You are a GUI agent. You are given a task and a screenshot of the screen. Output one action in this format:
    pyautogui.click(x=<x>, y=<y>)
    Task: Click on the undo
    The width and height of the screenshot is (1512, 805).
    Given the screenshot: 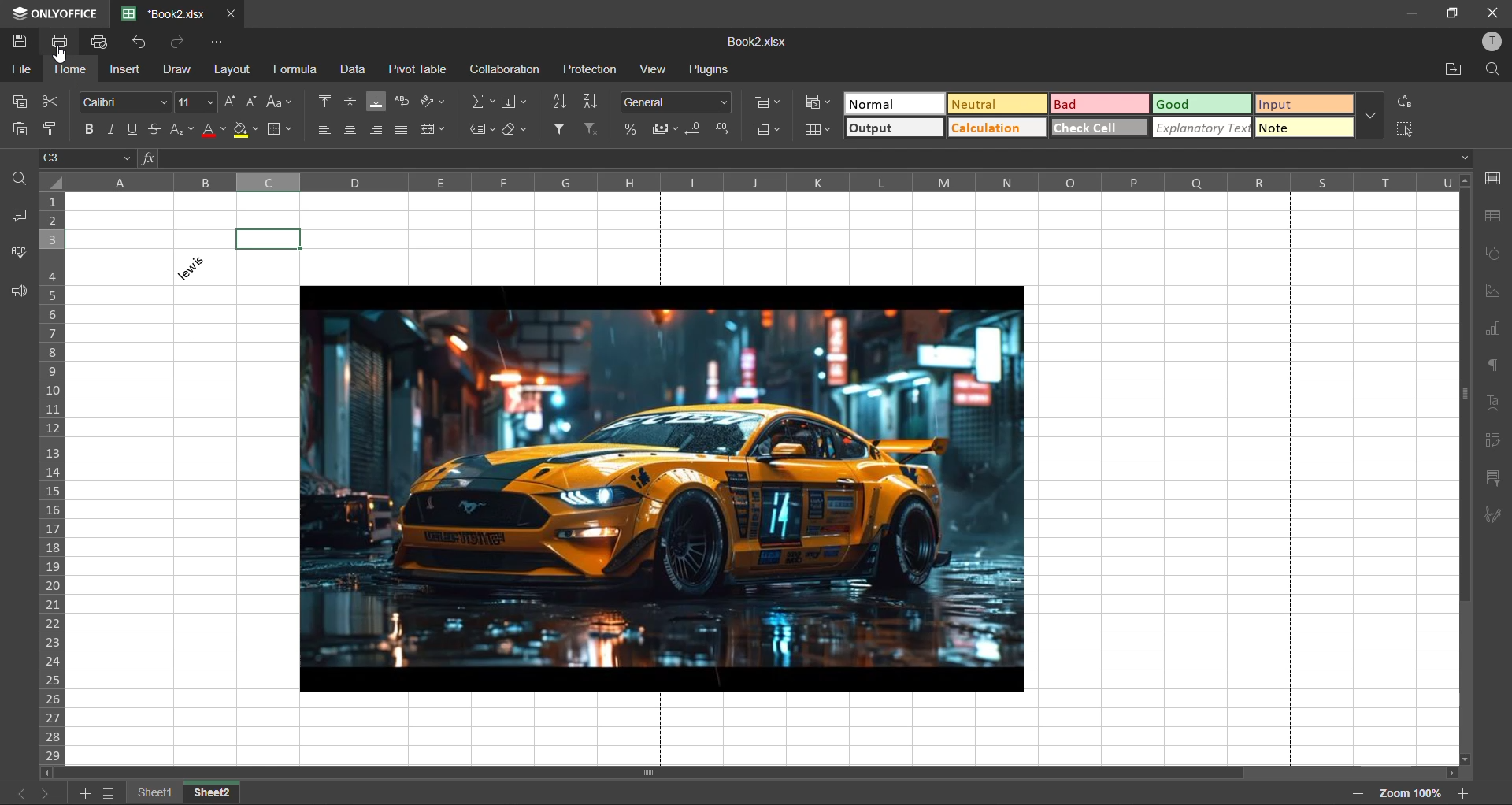 What is the action you would take?
    pyautogui.click(x=139, y=42)
    